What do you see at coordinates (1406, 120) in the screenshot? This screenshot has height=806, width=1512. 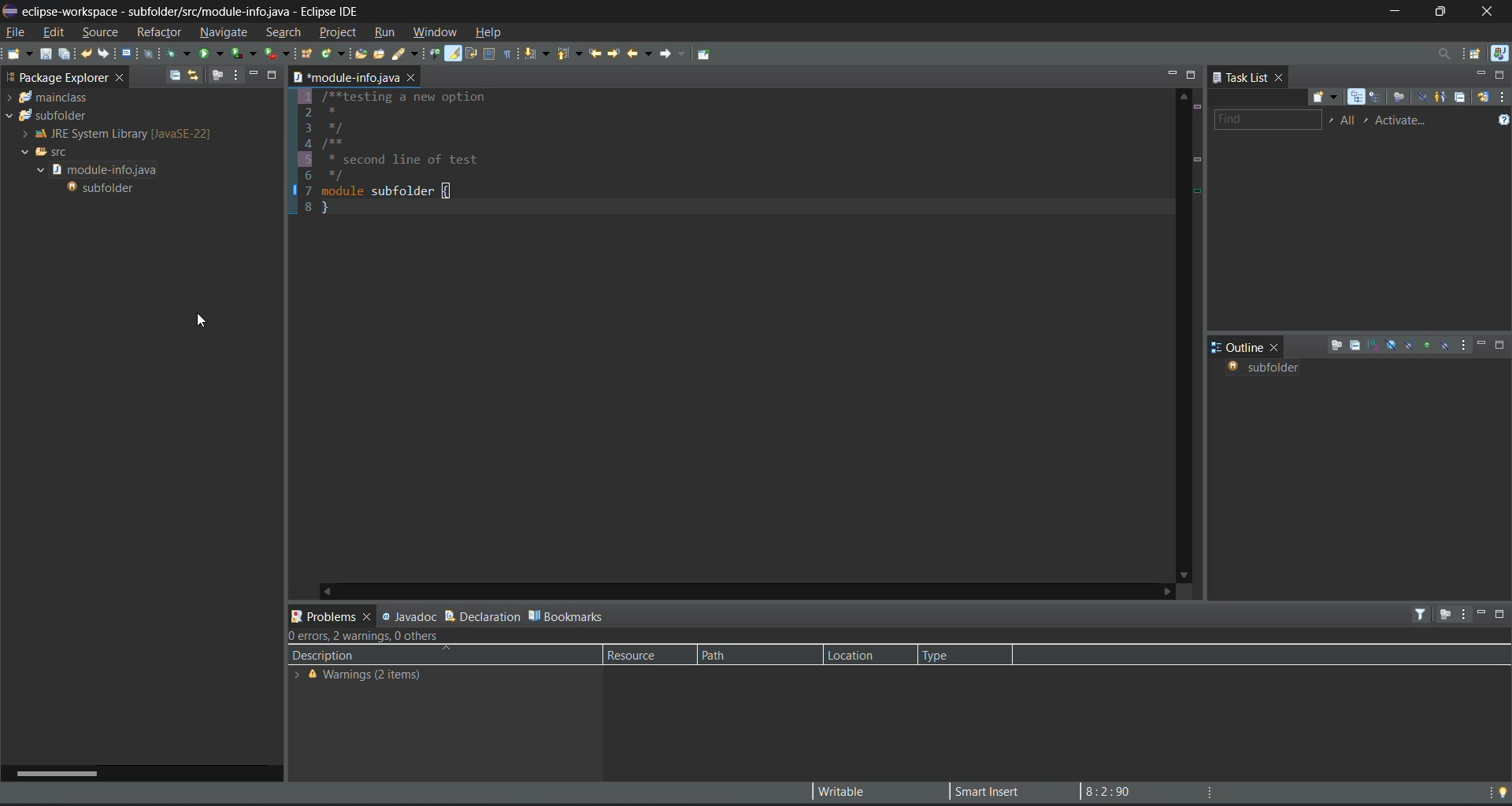 I see `activate` at bounding box center [1406, 120].